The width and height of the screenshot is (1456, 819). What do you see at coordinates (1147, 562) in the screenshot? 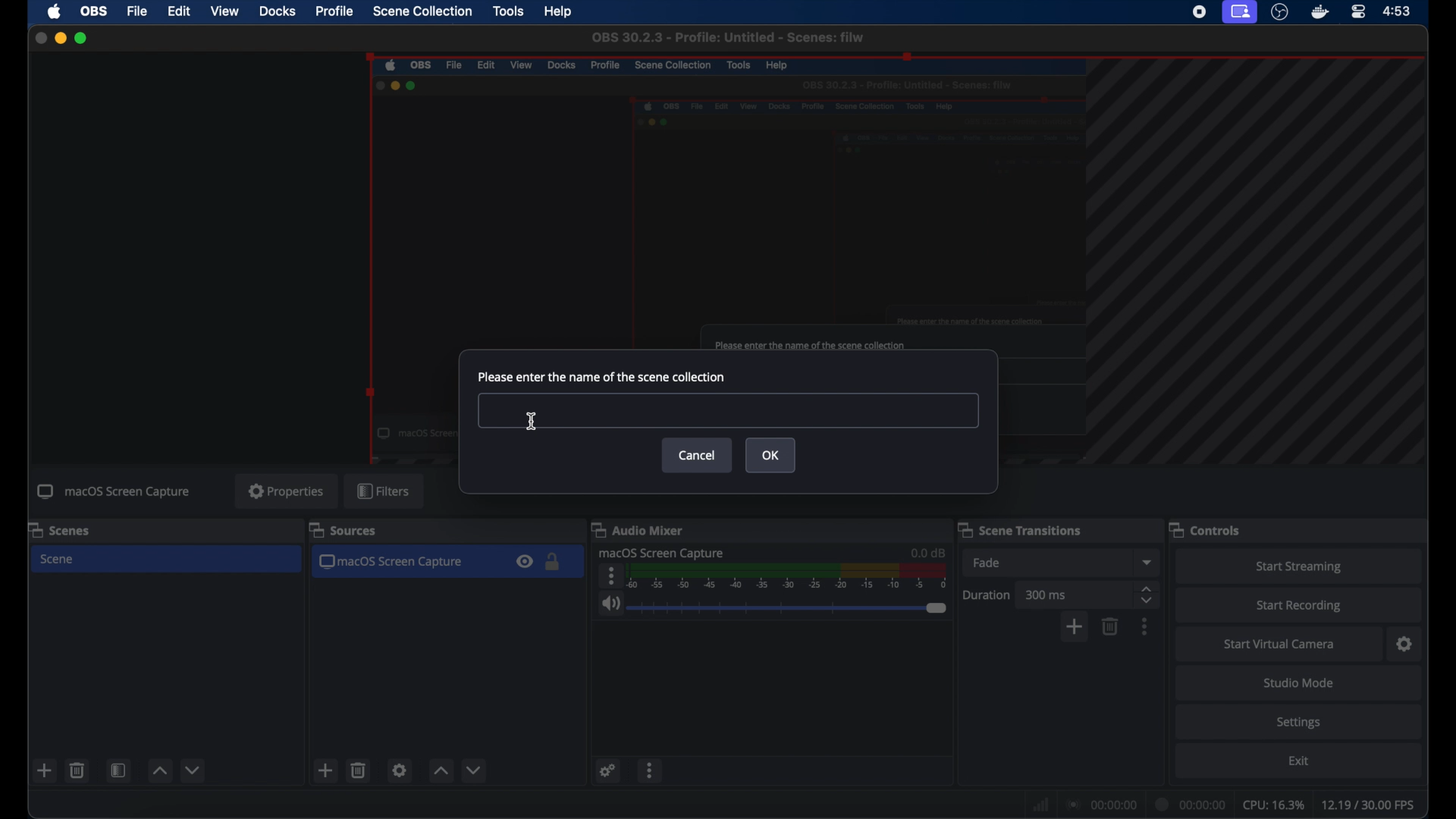
I see `fade dropdown` at bounding box center [1147, 562].